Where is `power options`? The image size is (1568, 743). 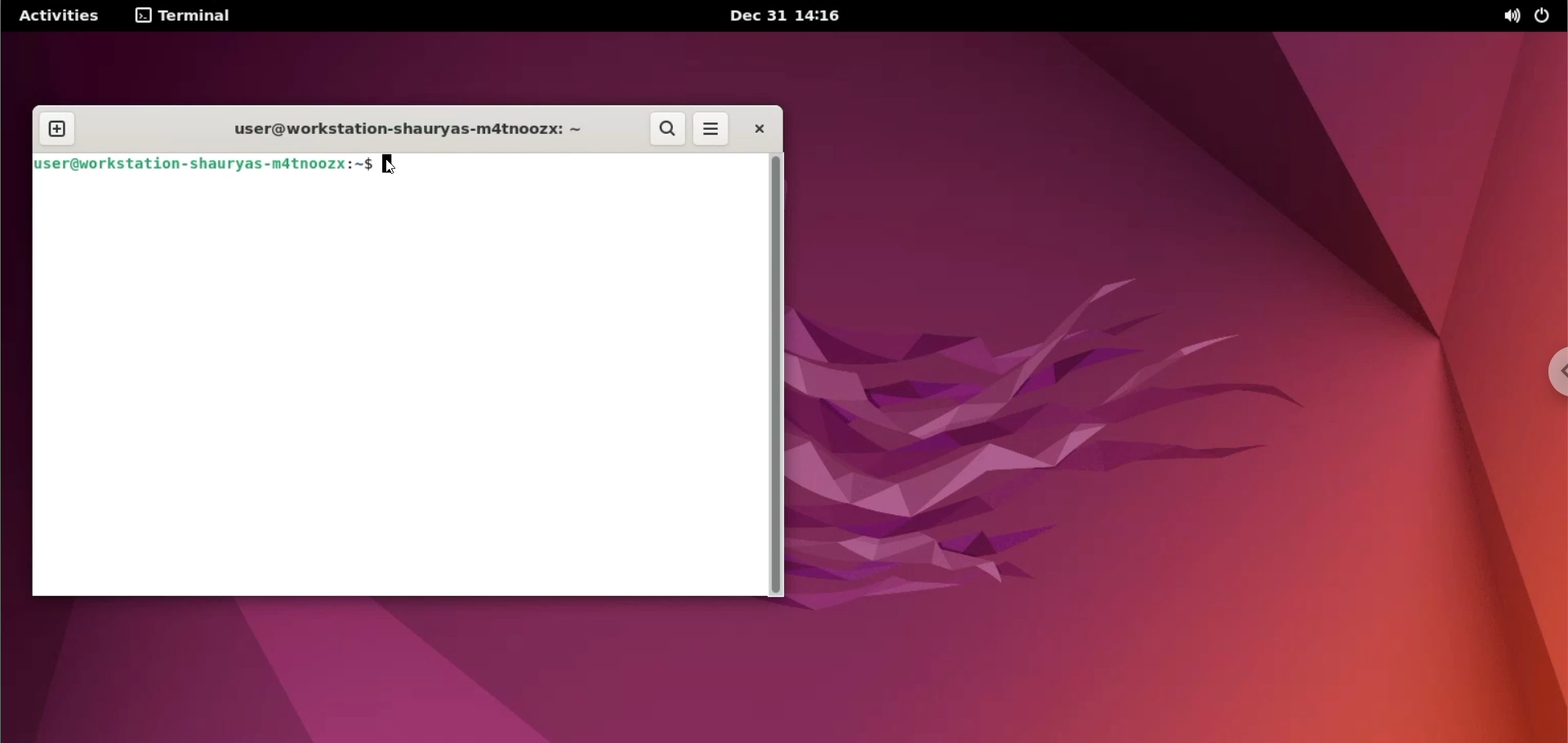 power options is located at coordinates (1547, 16).